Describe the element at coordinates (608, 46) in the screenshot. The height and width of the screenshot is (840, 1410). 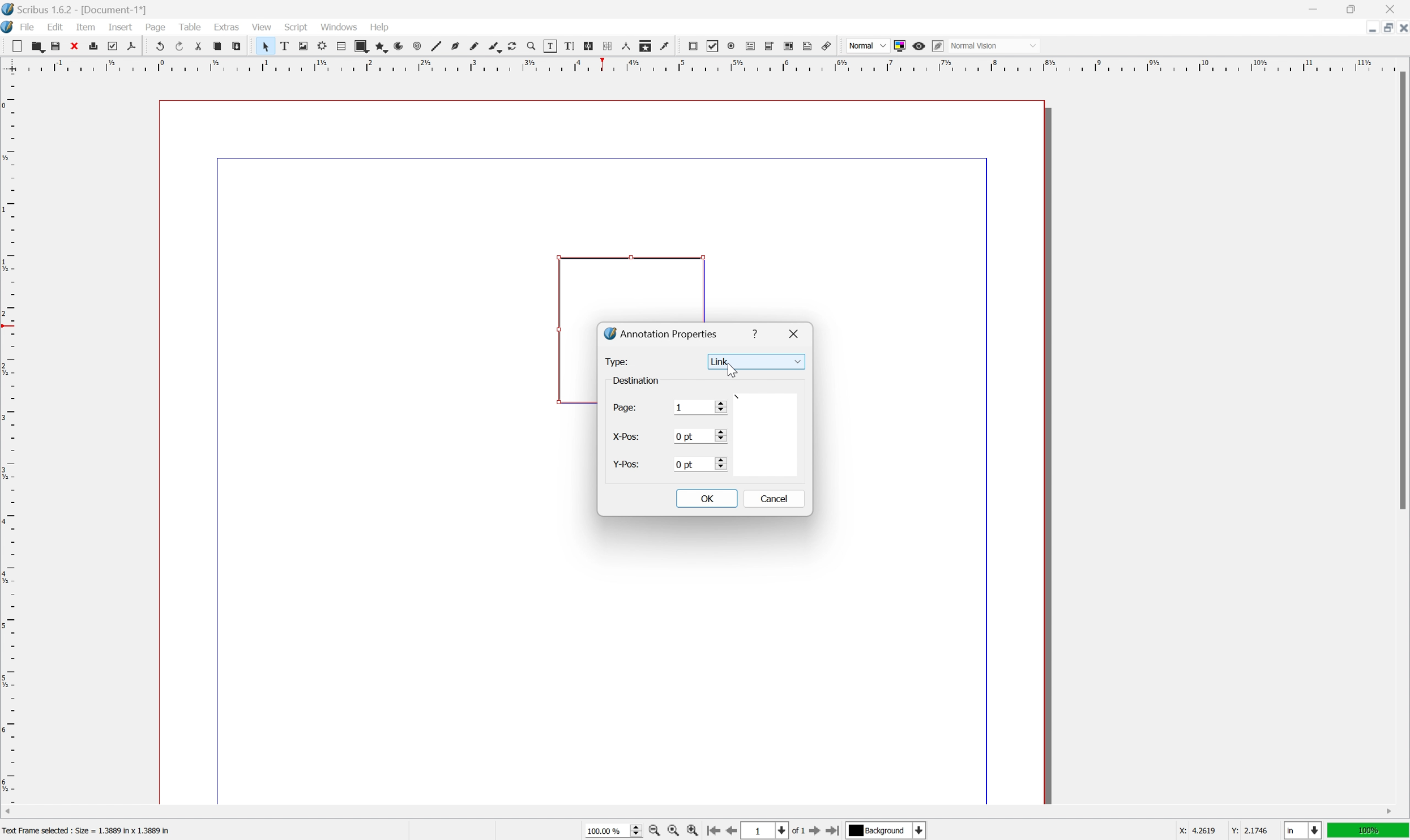
I see `unlink text frames` at that location.